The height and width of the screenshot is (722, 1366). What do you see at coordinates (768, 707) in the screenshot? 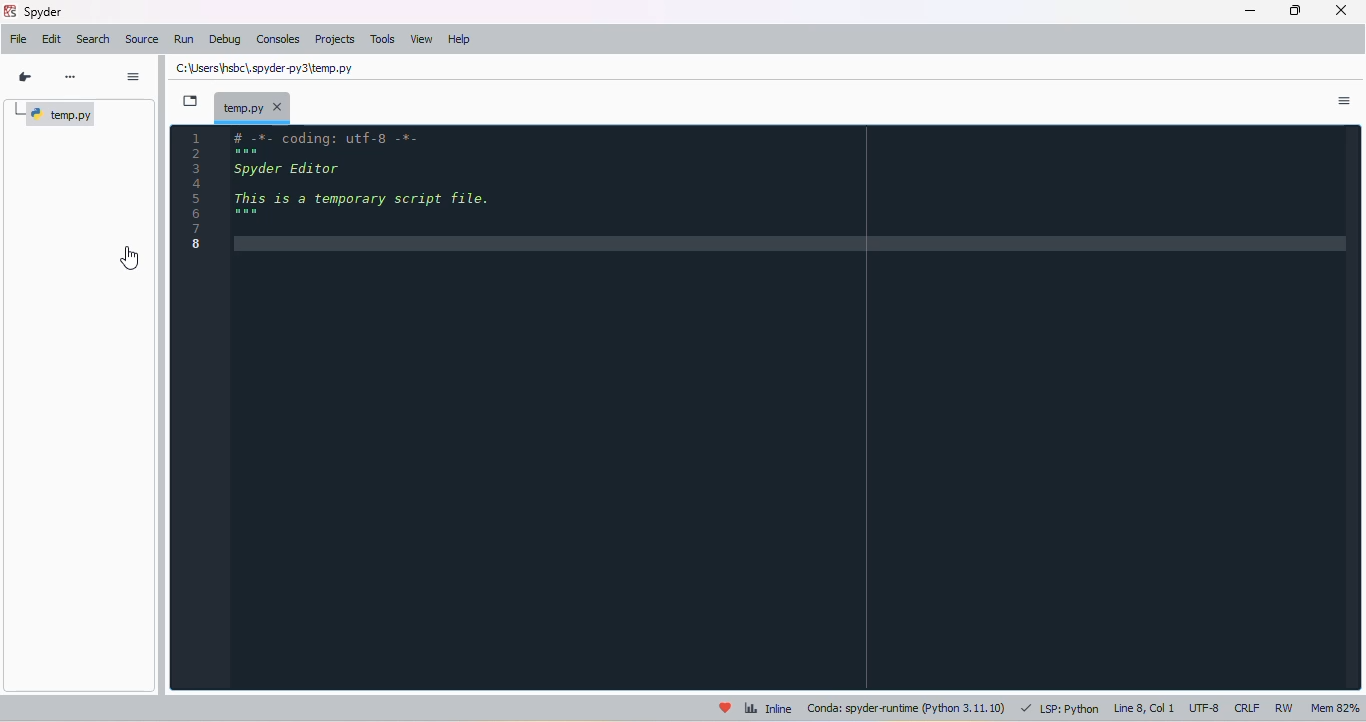
I see `inline` at bounding box center [768, 707].